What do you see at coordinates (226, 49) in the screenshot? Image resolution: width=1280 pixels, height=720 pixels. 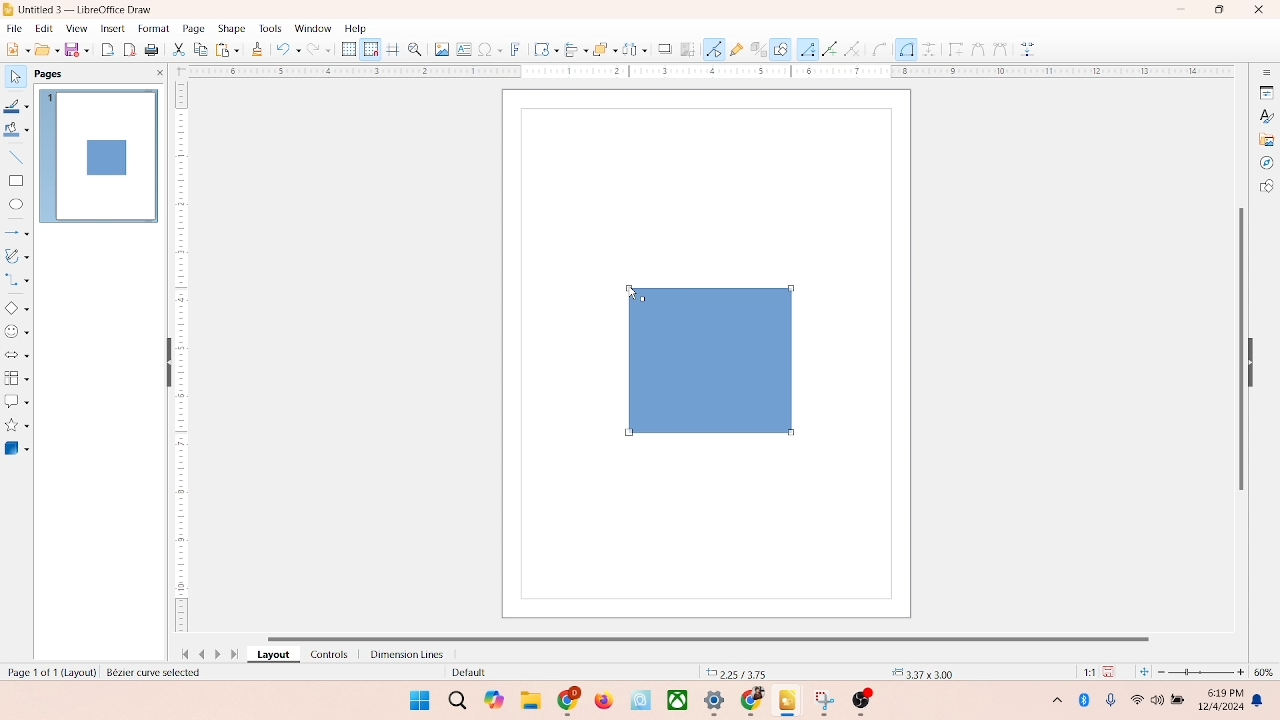 I see `print` at bounding box center [226, 49].